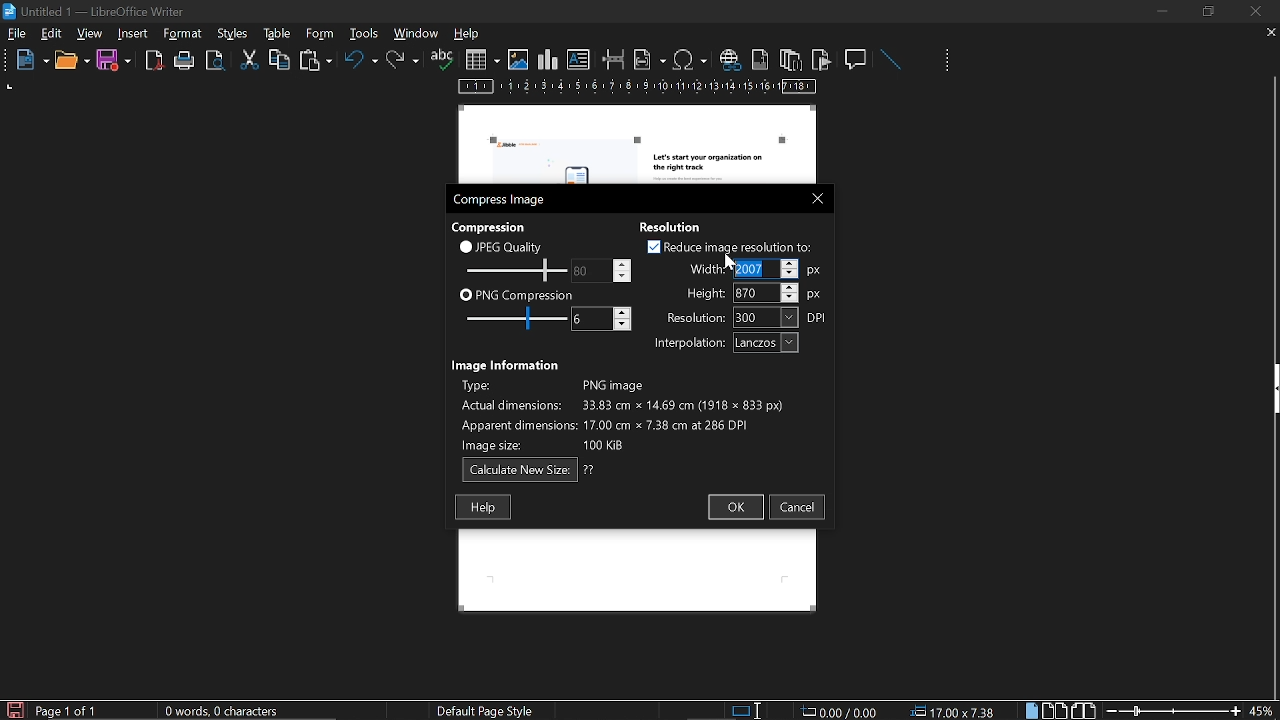 This screenshot has height=720, width=1280. Describe the element at coordinates (1055, 711) in the screenshot. I see `multiple page view` at that location.